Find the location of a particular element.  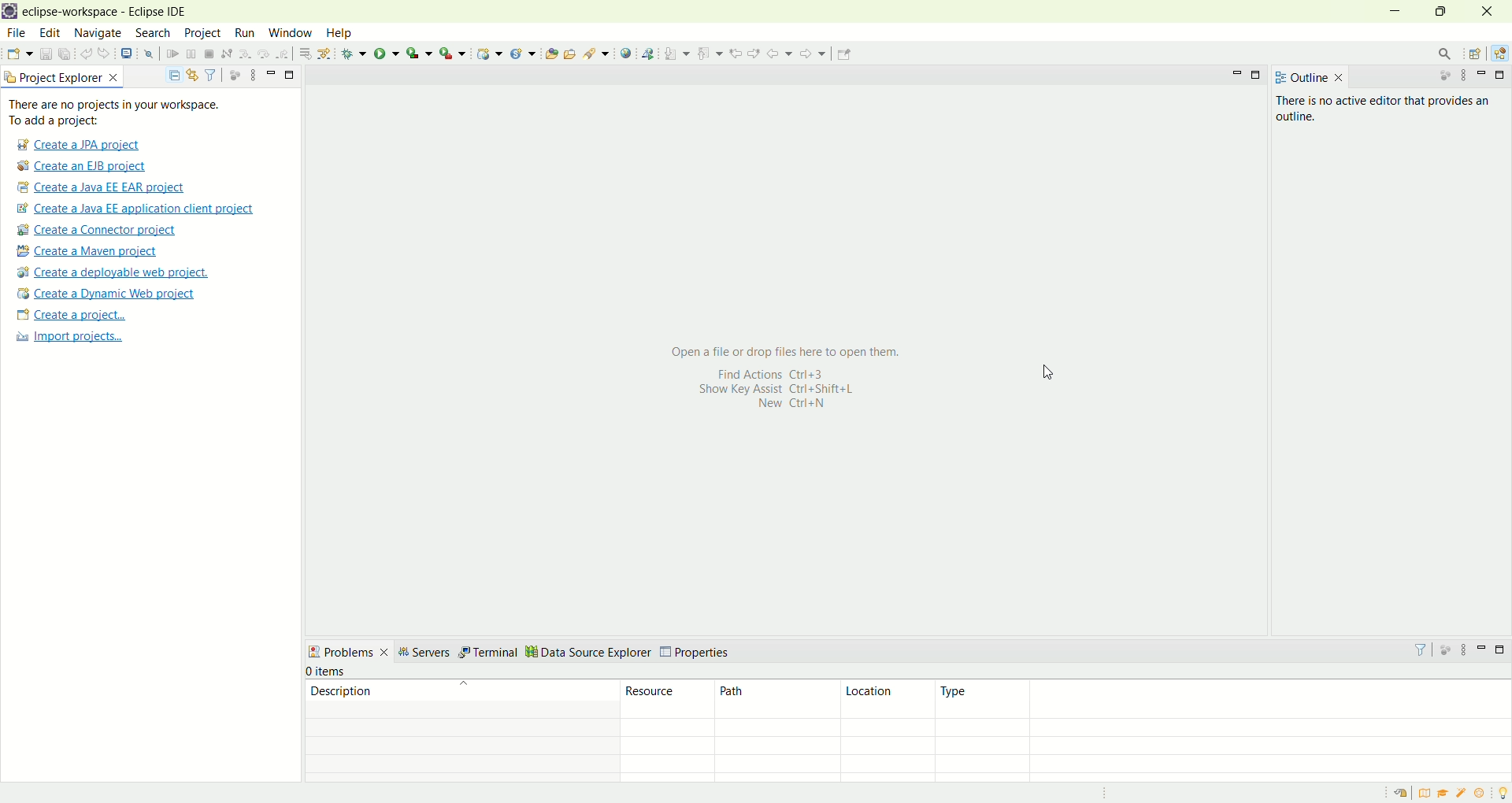

previous edit location is located at coordinates (733, 54).